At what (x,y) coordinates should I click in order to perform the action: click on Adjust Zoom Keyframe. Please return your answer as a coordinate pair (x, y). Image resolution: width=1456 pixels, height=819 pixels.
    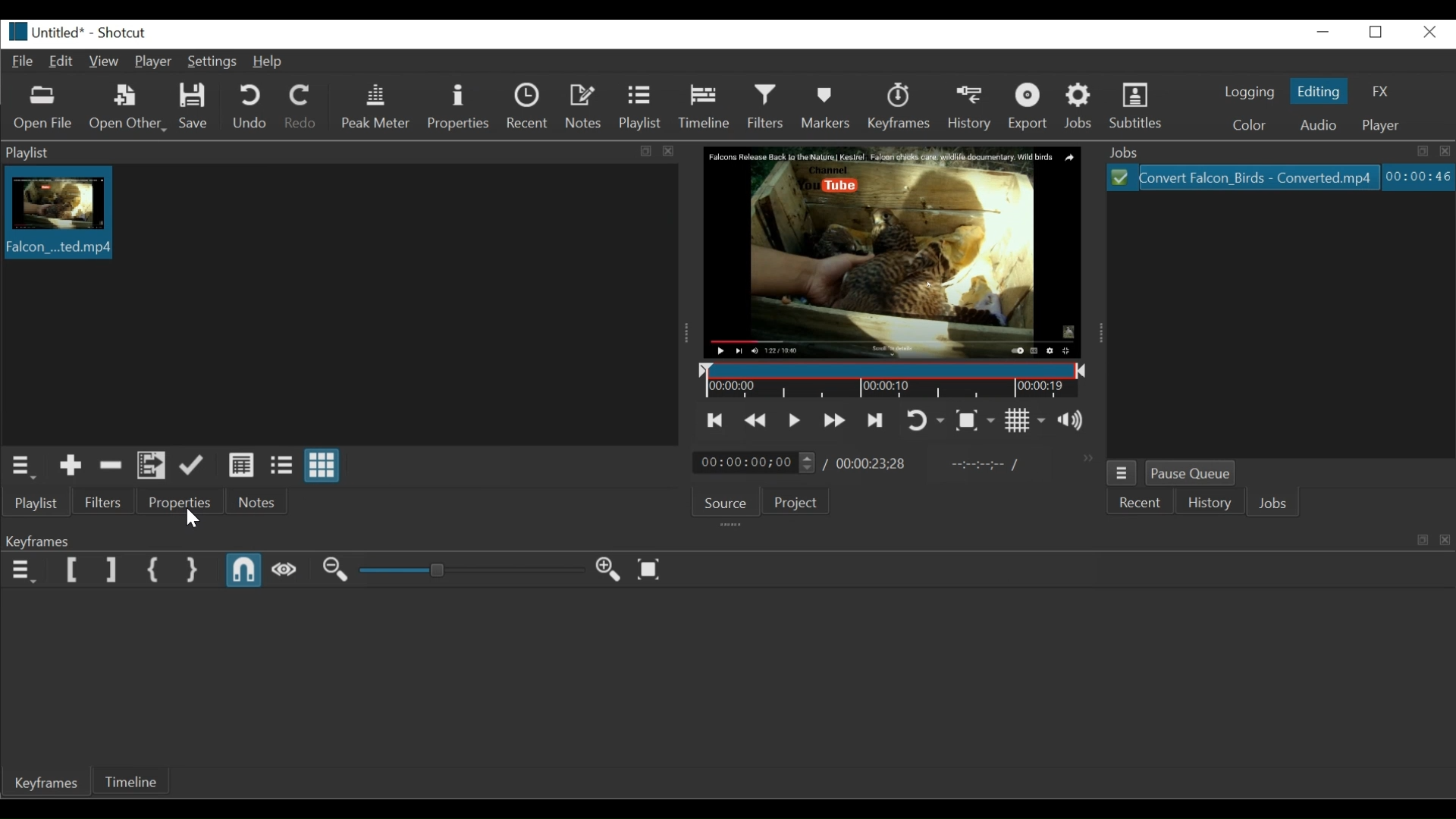
    Looking at the image, I should click on (471, 570).